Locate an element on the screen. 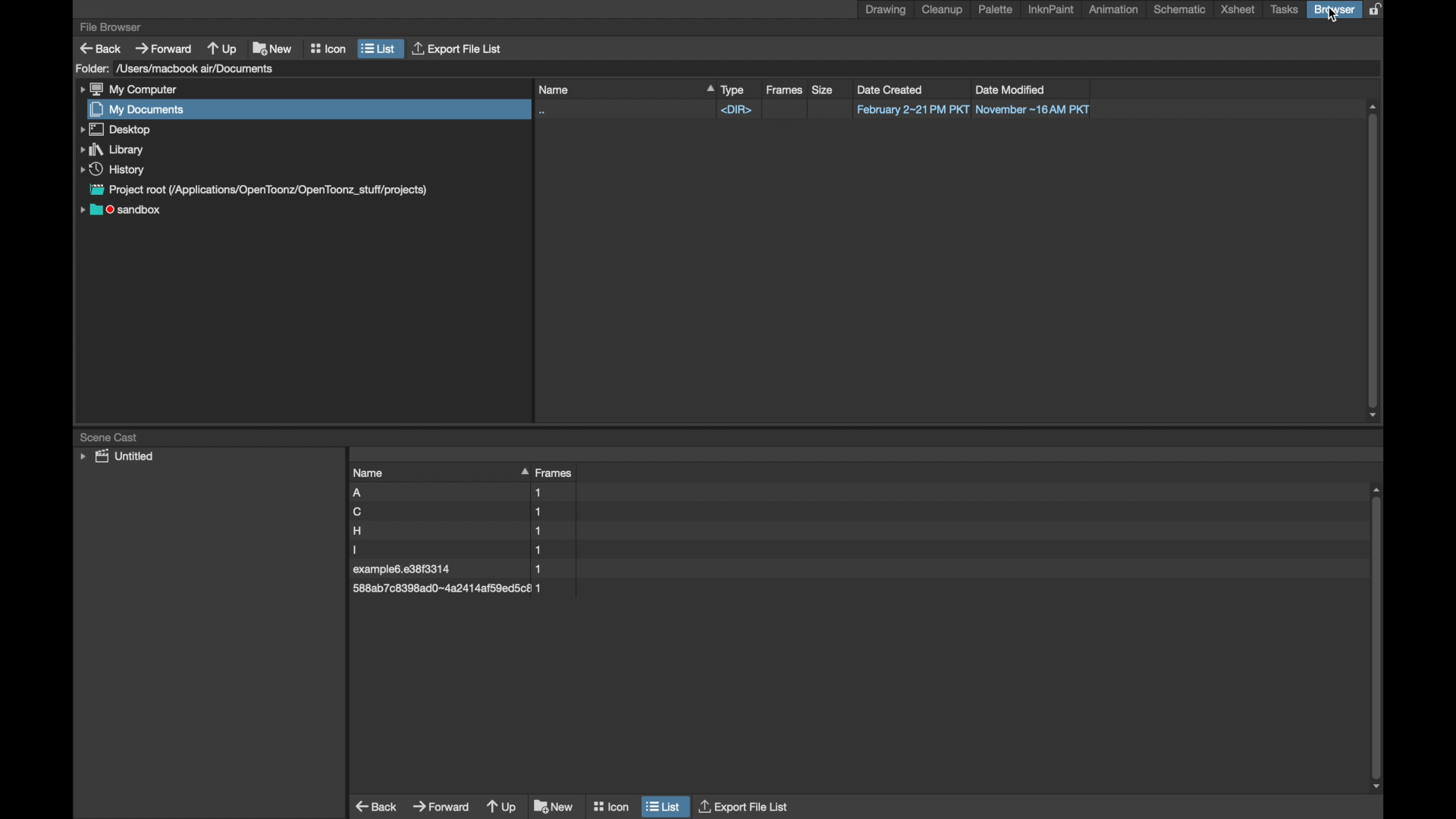  H is located at coordinates (415, 531).